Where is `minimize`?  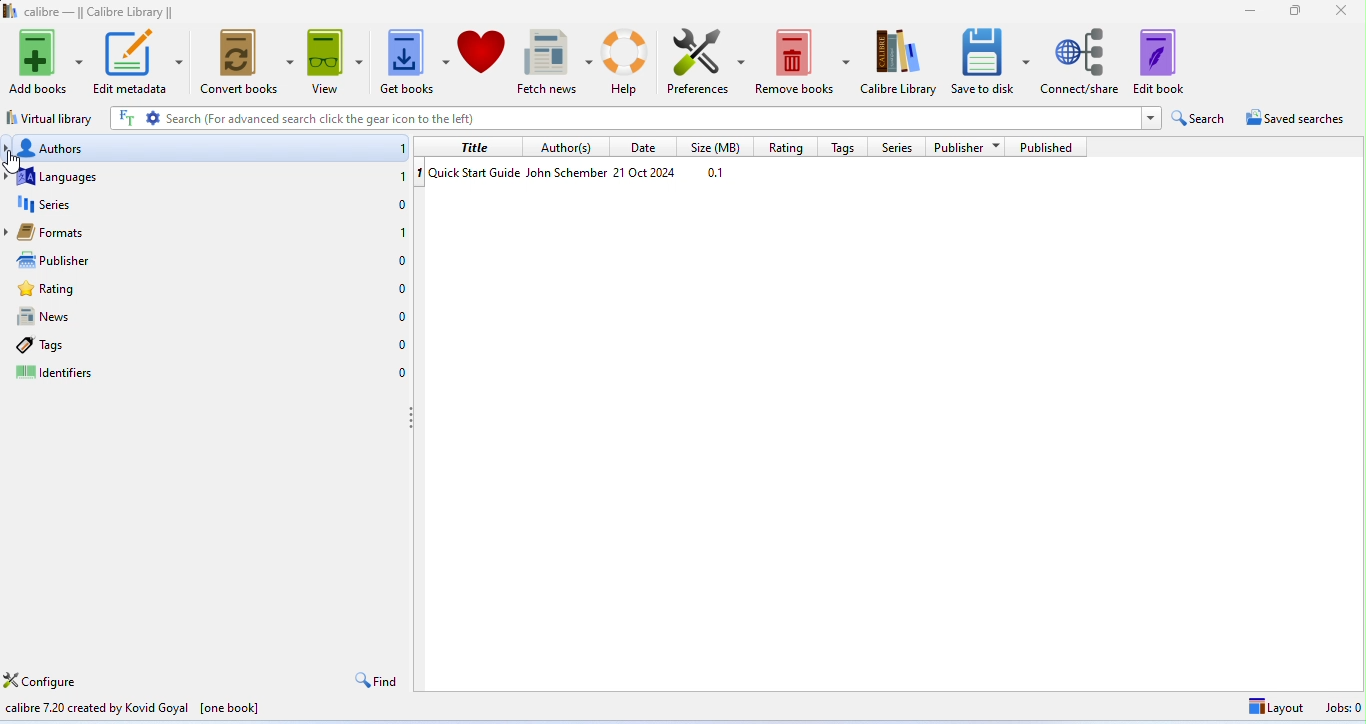
minimize is located at coordinates (1250, 12).